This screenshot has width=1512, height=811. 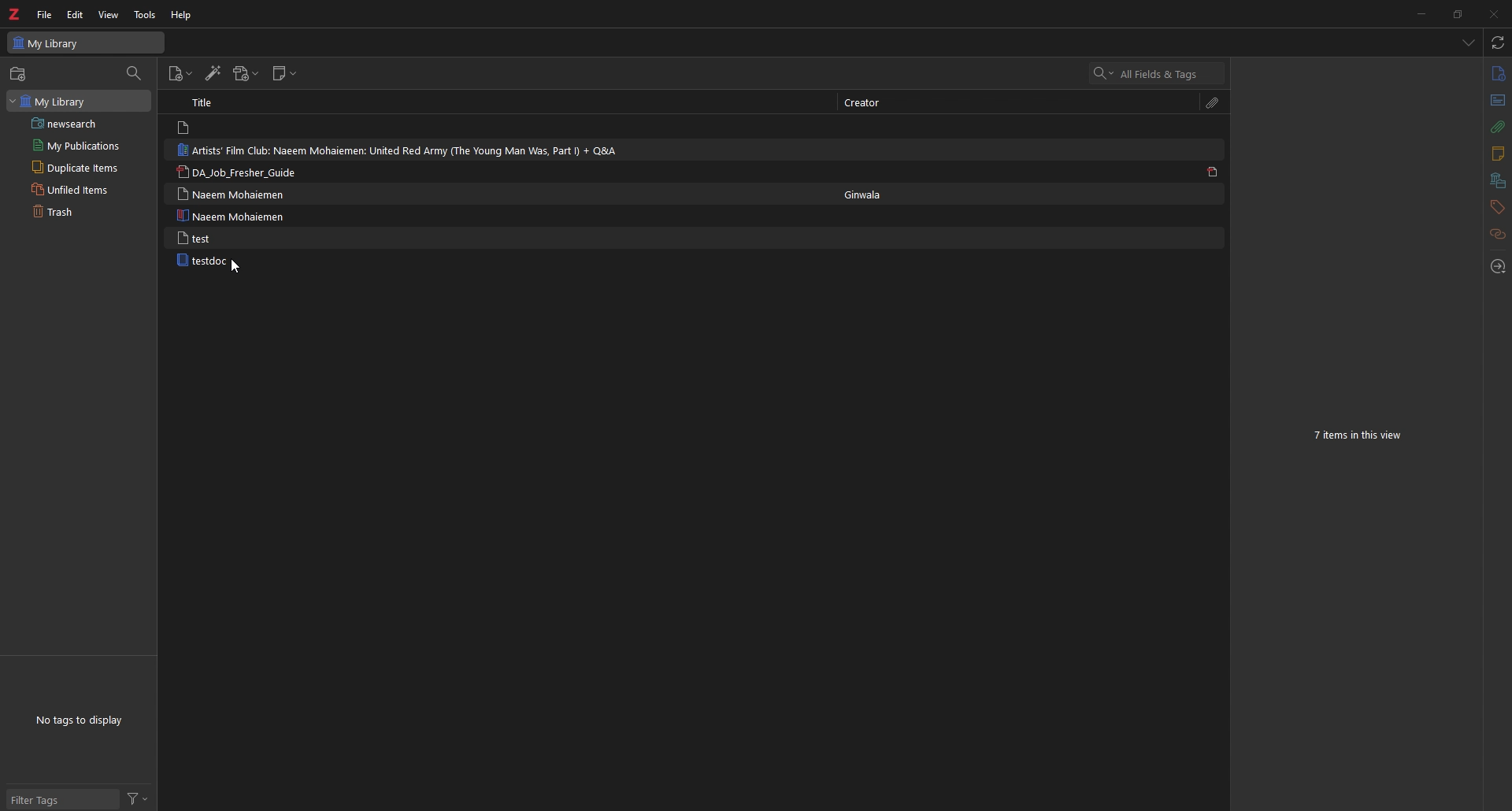 What do you see at coordinates (1497, 156) in the screenshot?
I see `note` at bounding box center [1497, 156].